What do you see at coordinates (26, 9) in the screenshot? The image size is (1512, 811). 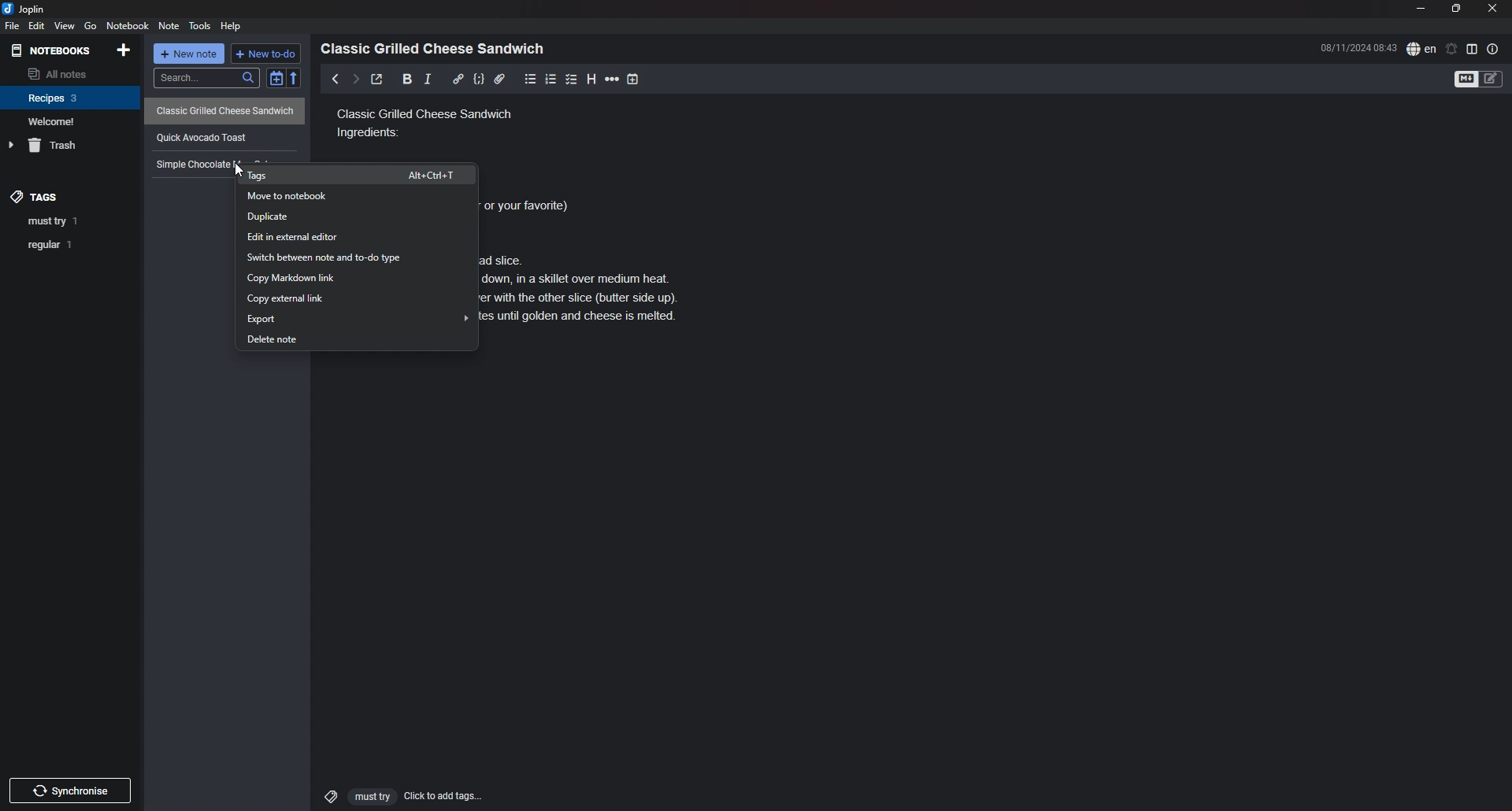 I see `joplin` at bounding box center [26, 9].